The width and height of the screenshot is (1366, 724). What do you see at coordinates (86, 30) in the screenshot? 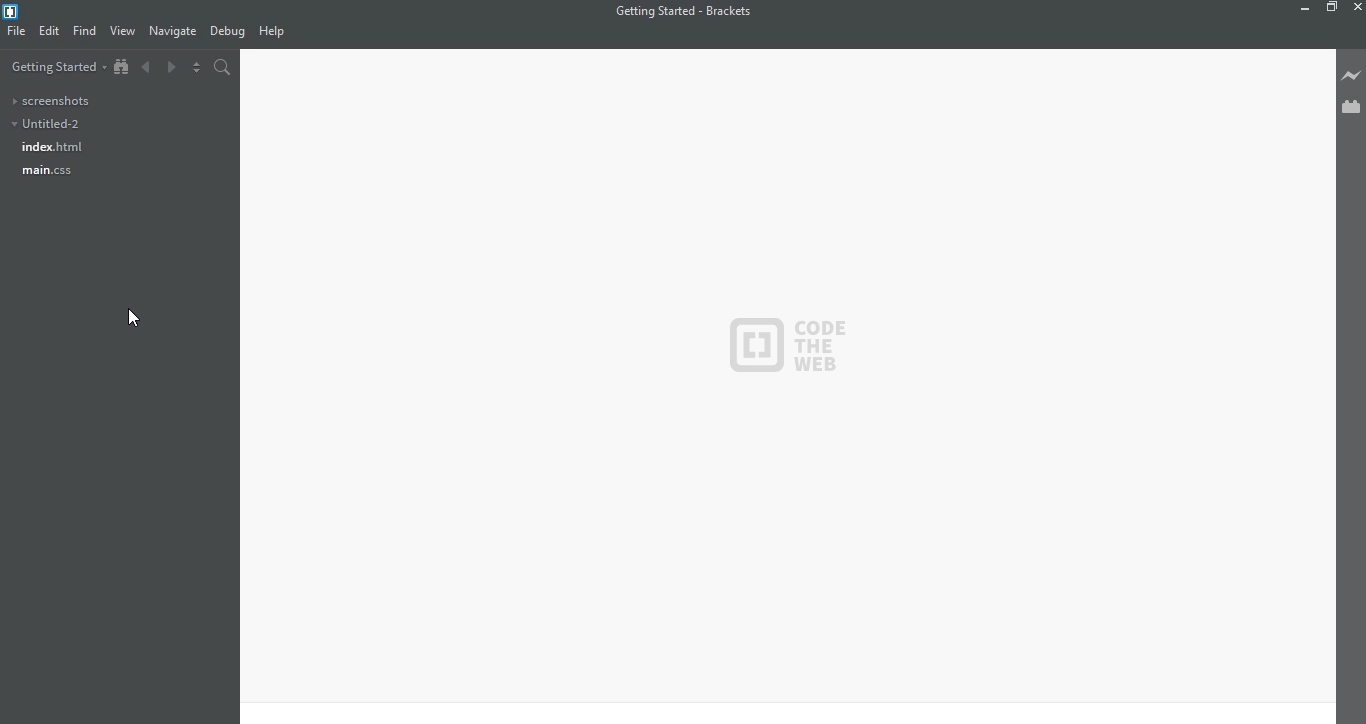
I see `find` at bounding box center [86, 30].